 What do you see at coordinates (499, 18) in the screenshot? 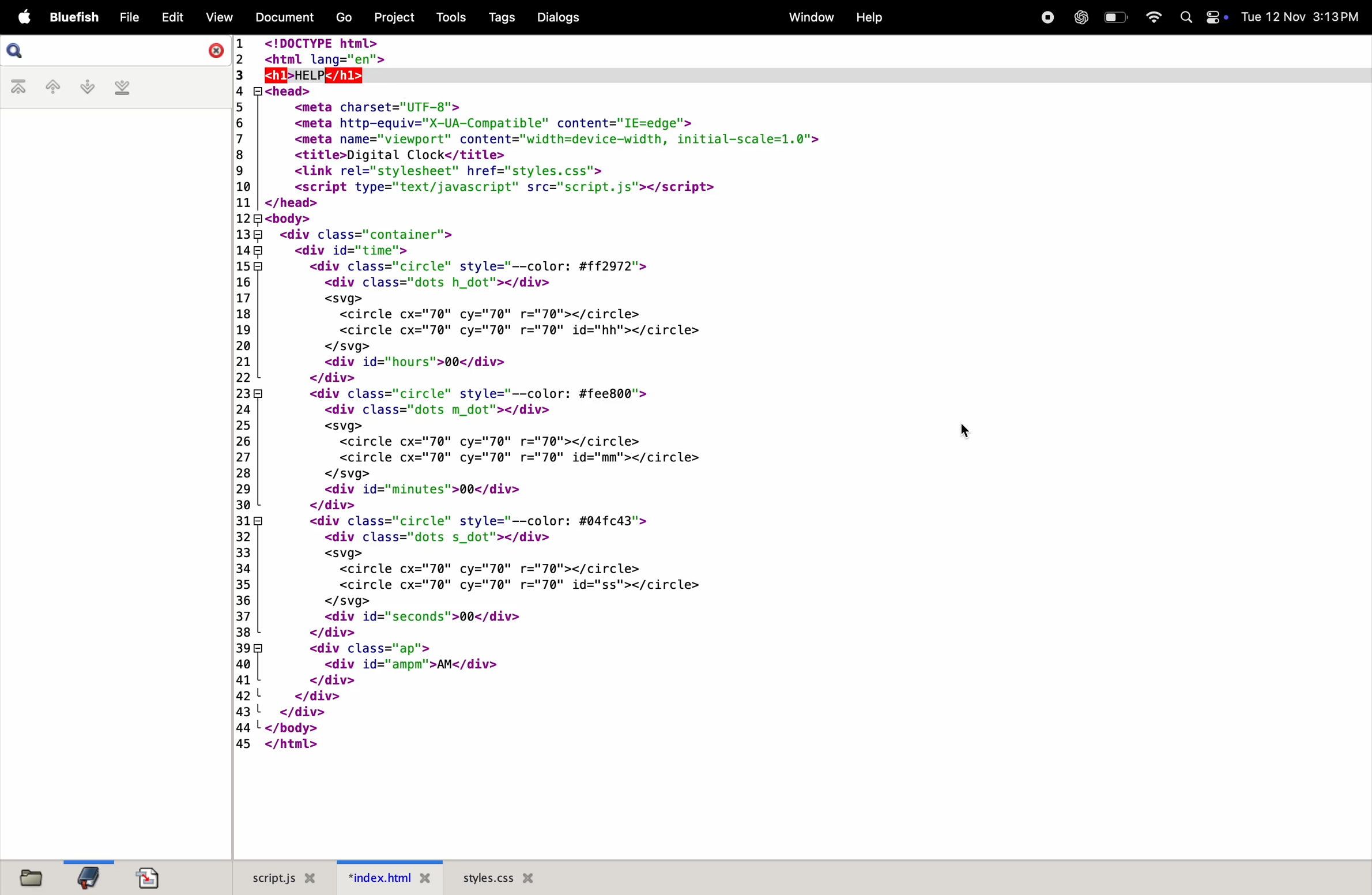
I see `tags` at bounding box center [499, 18].